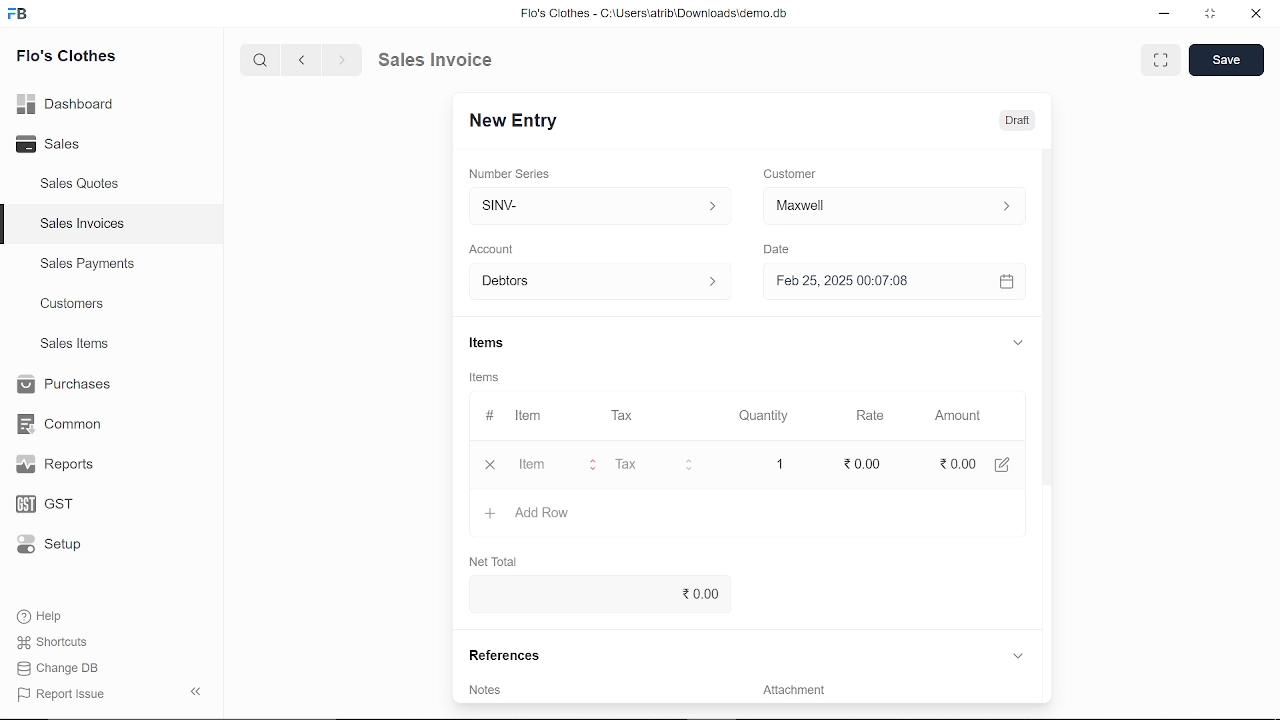 The width and height of the screenshot is (1280, 720). I want to click on Debtors, so click(596, 281).